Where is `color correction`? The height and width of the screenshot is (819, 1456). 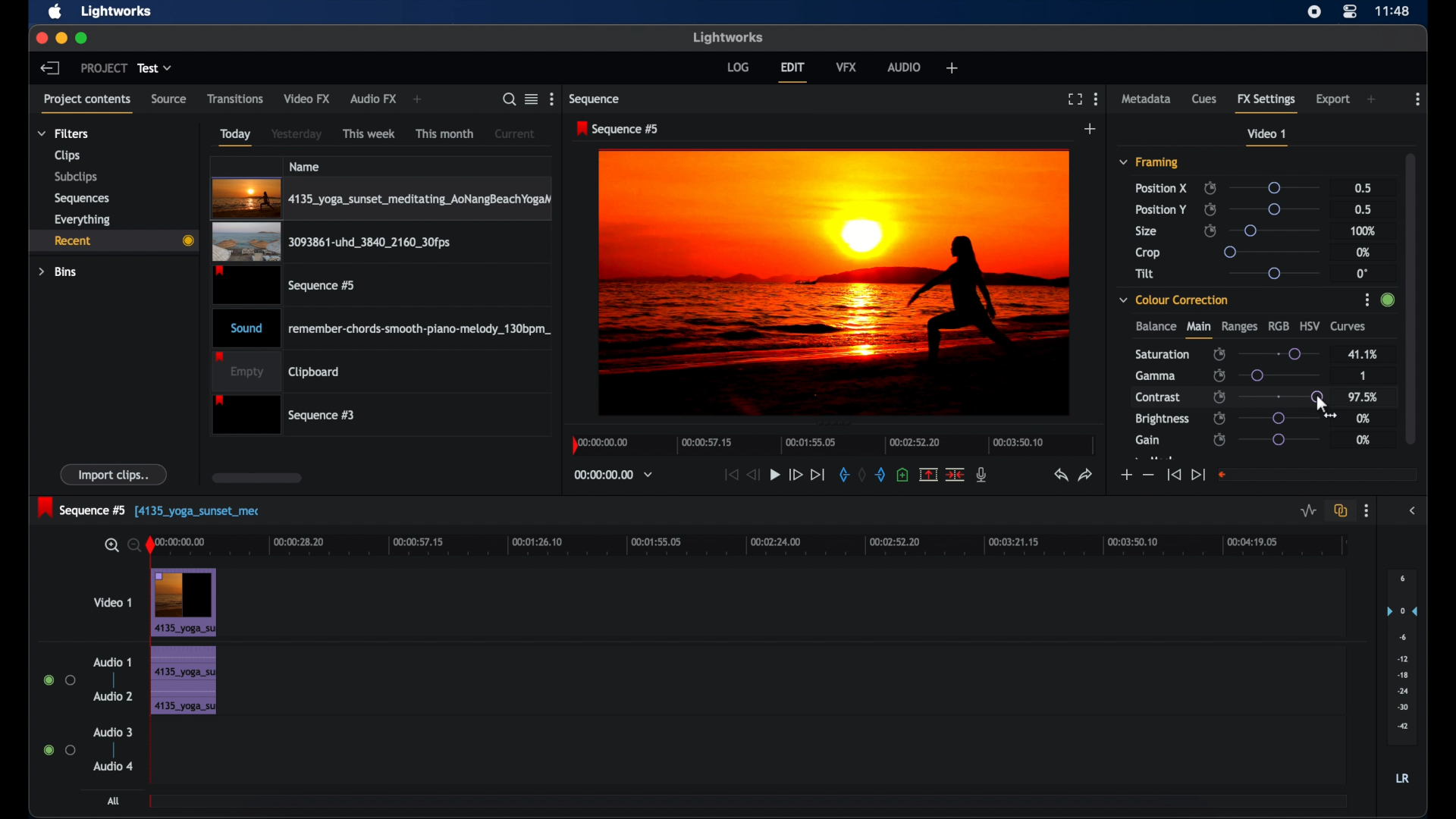
color correction is located at coordinates (1175, 299).